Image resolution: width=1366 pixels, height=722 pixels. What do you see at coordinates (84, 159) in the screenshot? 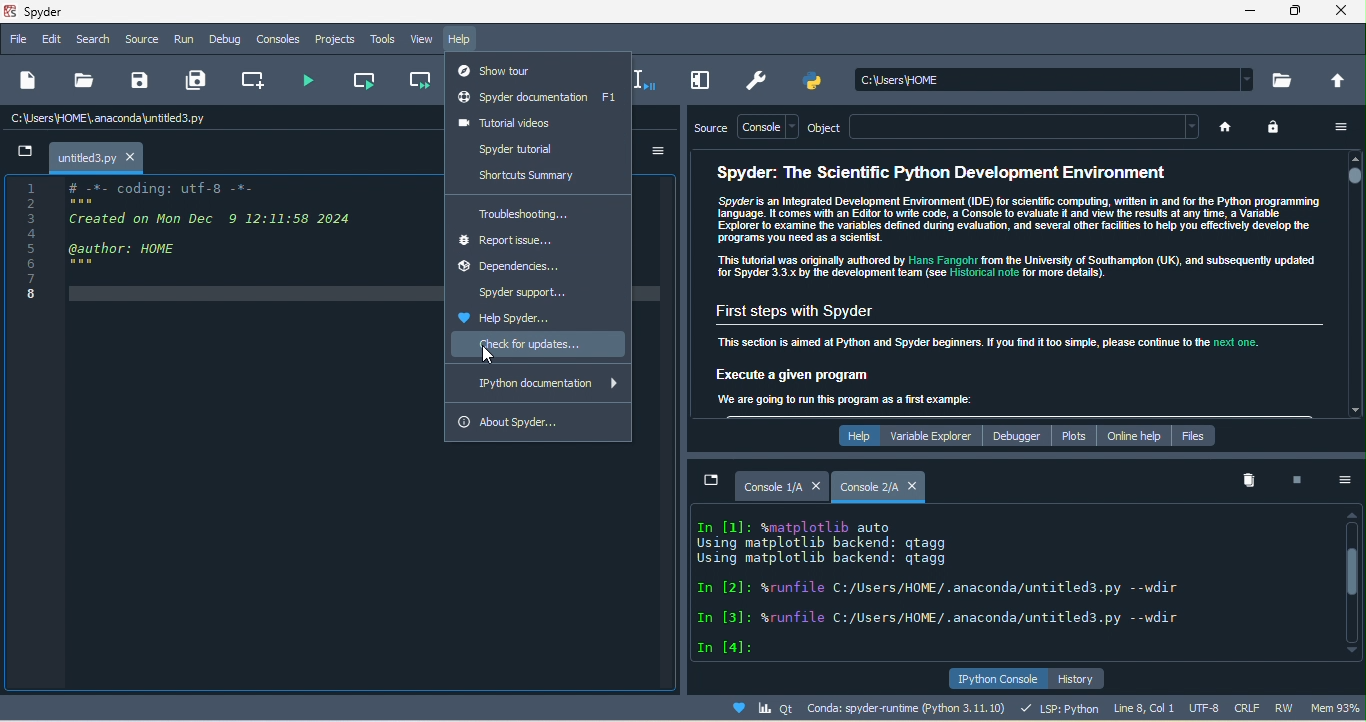
I see `untitled3.py` at bounding box center [84, 159].